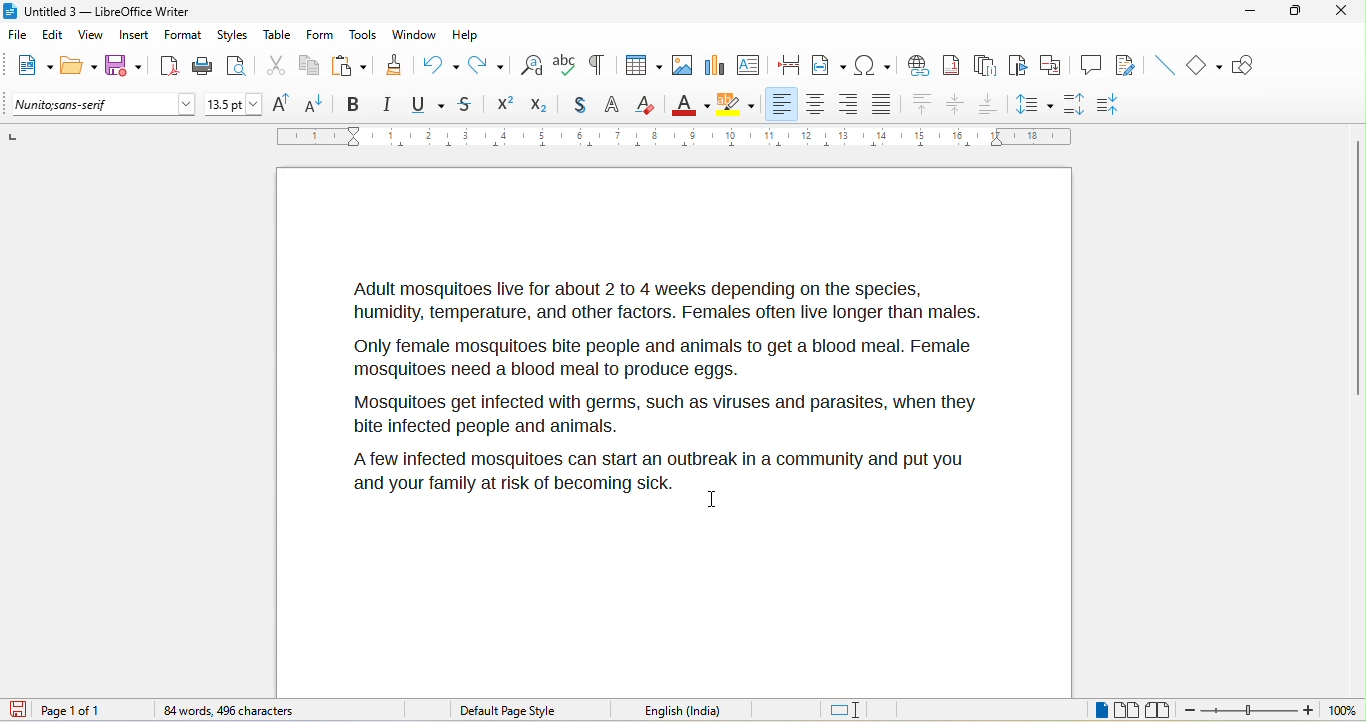 This screenshot has height=722, width=1366. Describe the element at coordinates (646, 104) in the screenshot. I see `clear direct formatting` at that location.